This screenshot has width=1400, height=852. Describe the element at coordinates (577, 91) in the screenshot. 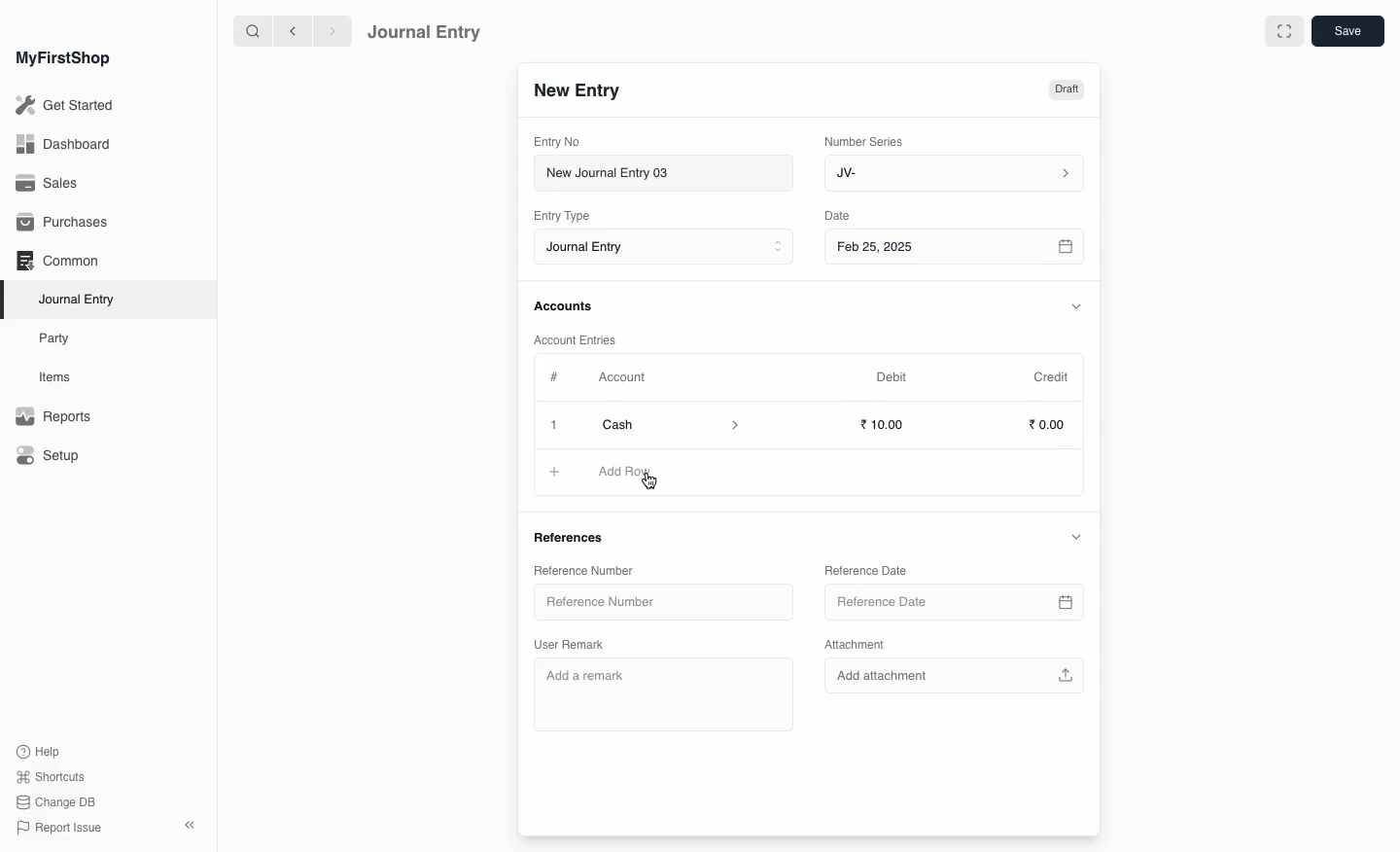

I see `New Entry` at that location.